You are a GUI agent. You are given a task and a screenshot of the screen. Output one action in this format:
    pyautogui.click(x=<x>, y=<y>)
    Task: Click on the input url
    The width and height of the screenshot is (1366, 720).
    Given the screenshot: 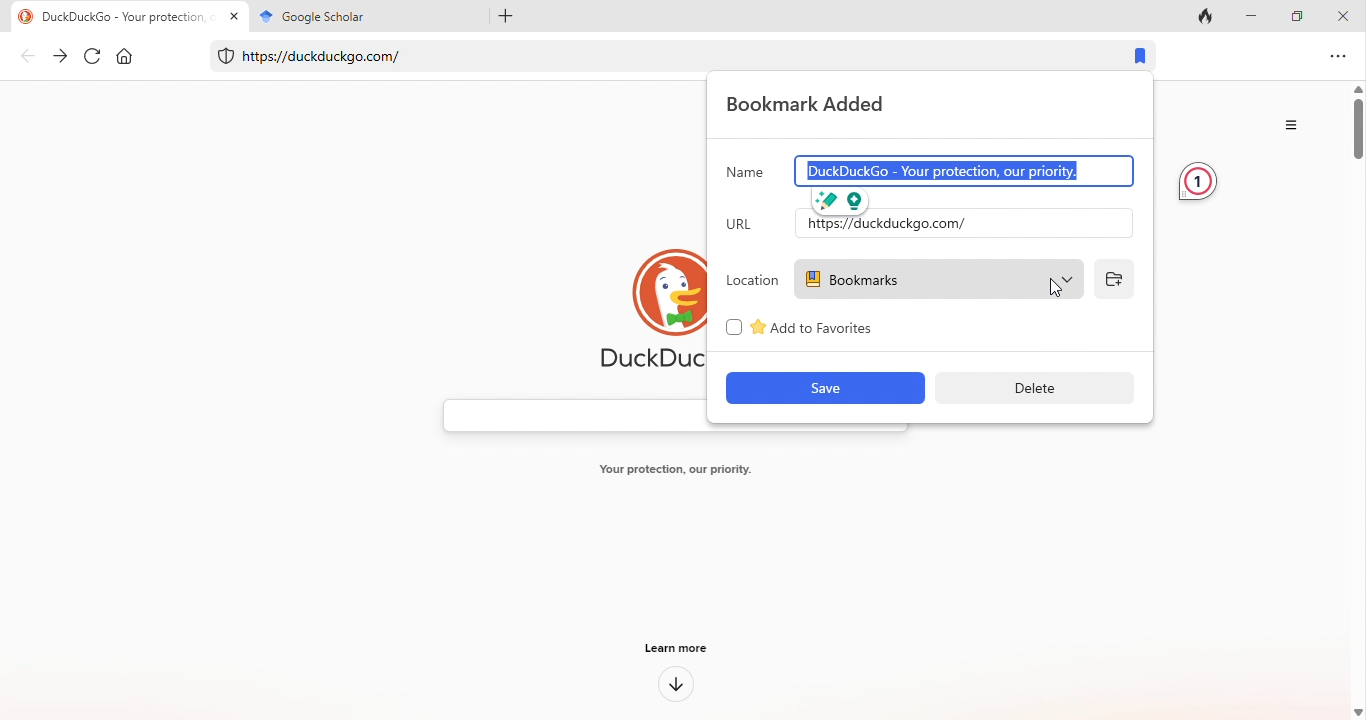 What is the action you would take?
    pyautogui.click(x=960, y=223)
    